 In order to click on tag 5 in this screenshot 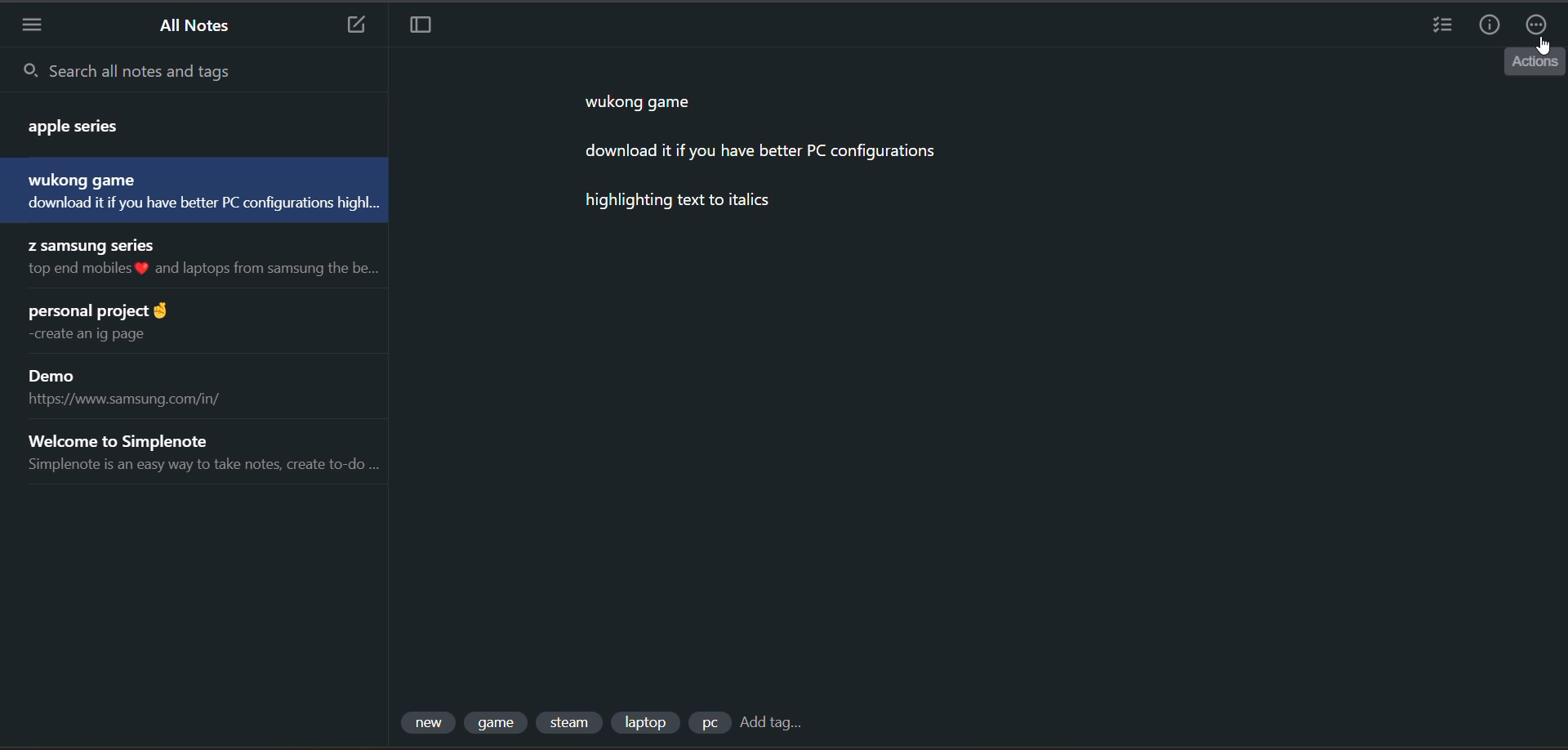, I will do `click(708, 723)`.